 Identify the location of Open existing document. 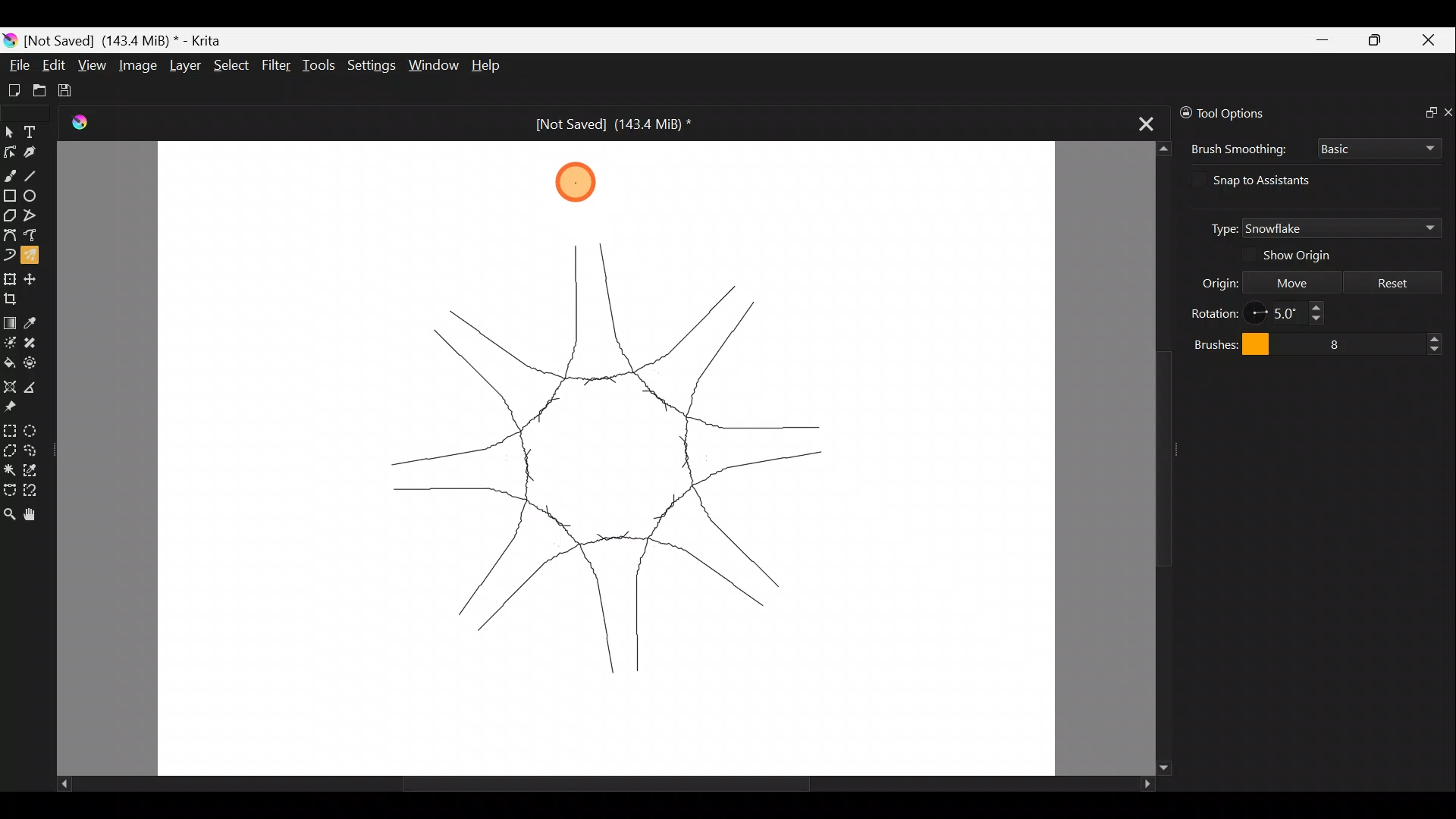
(40, 89).